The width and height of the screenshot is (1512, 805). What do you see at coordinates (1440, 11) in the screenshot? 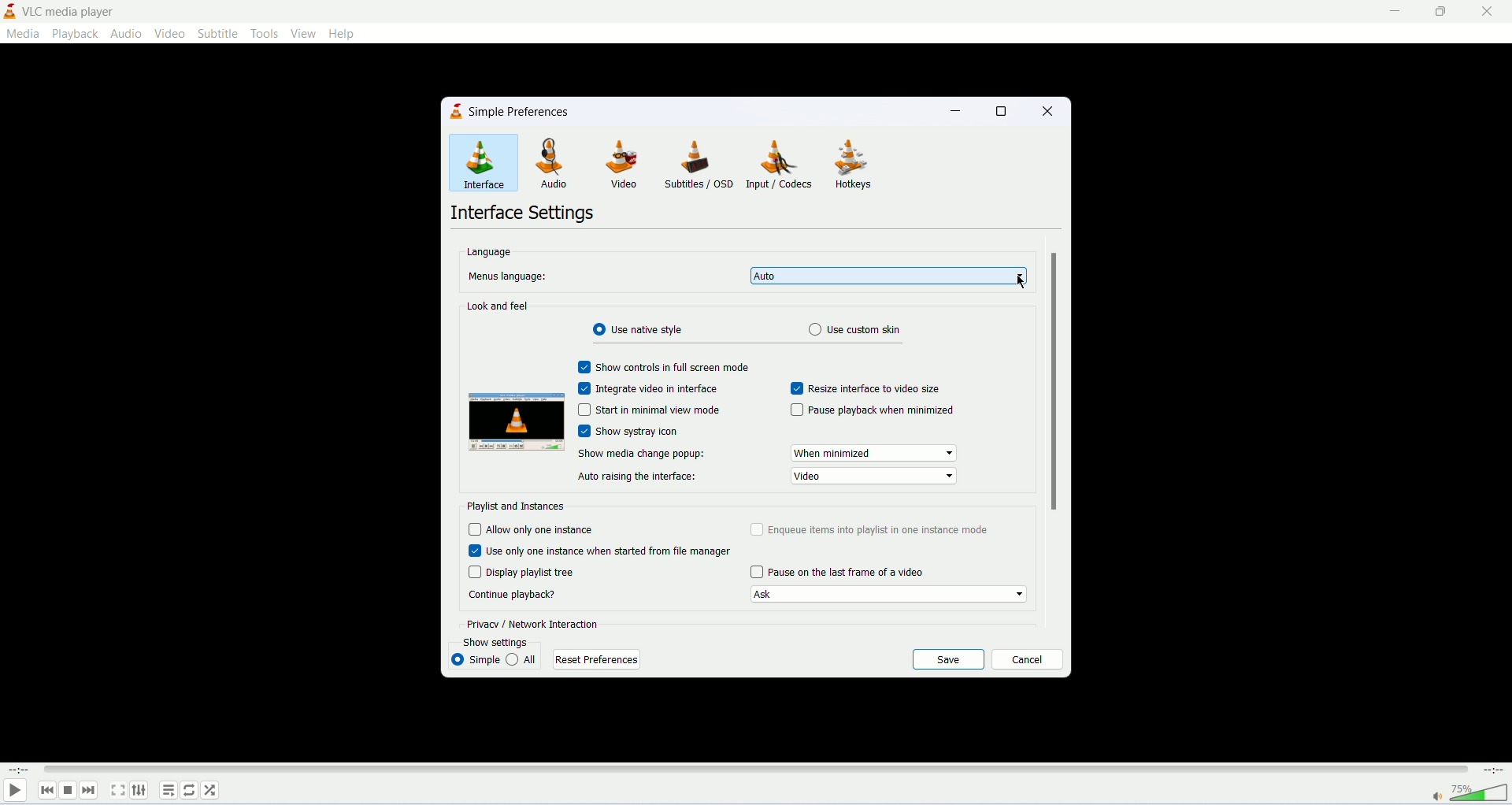
I see `maximize` at bounding box center [1440, 11].